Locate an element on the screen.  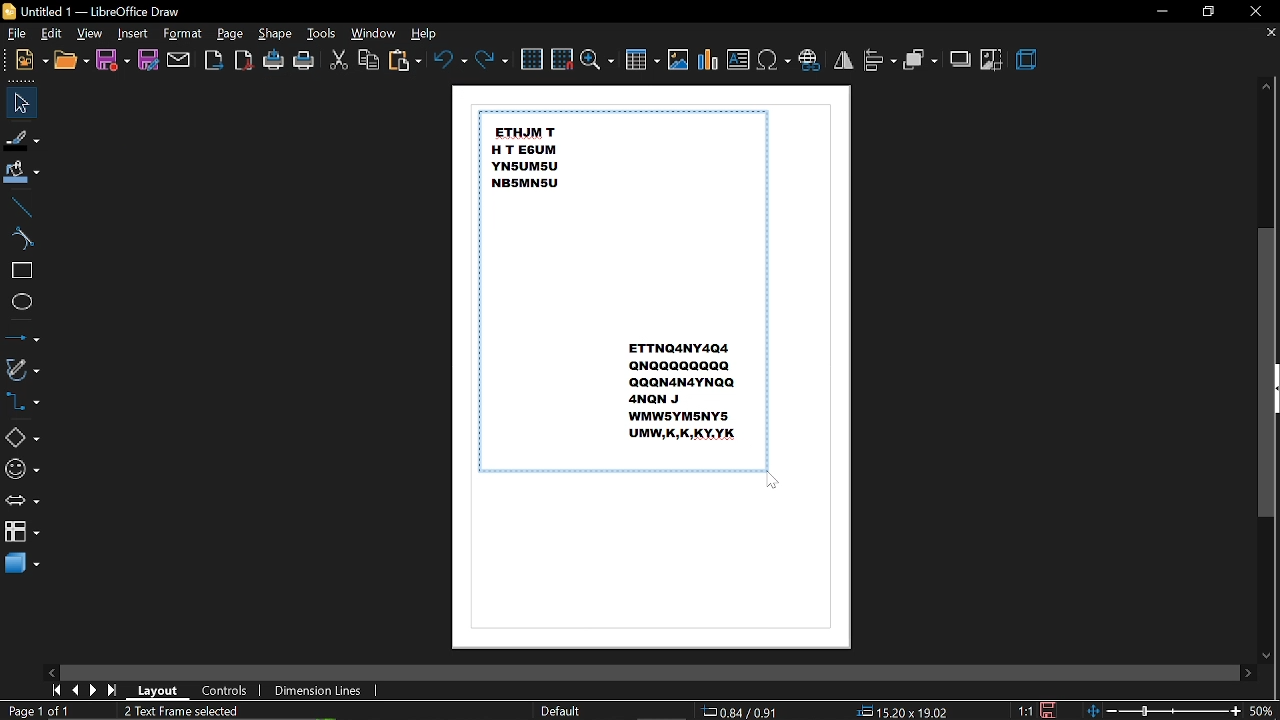
connector is located at coordinates (26, 404).